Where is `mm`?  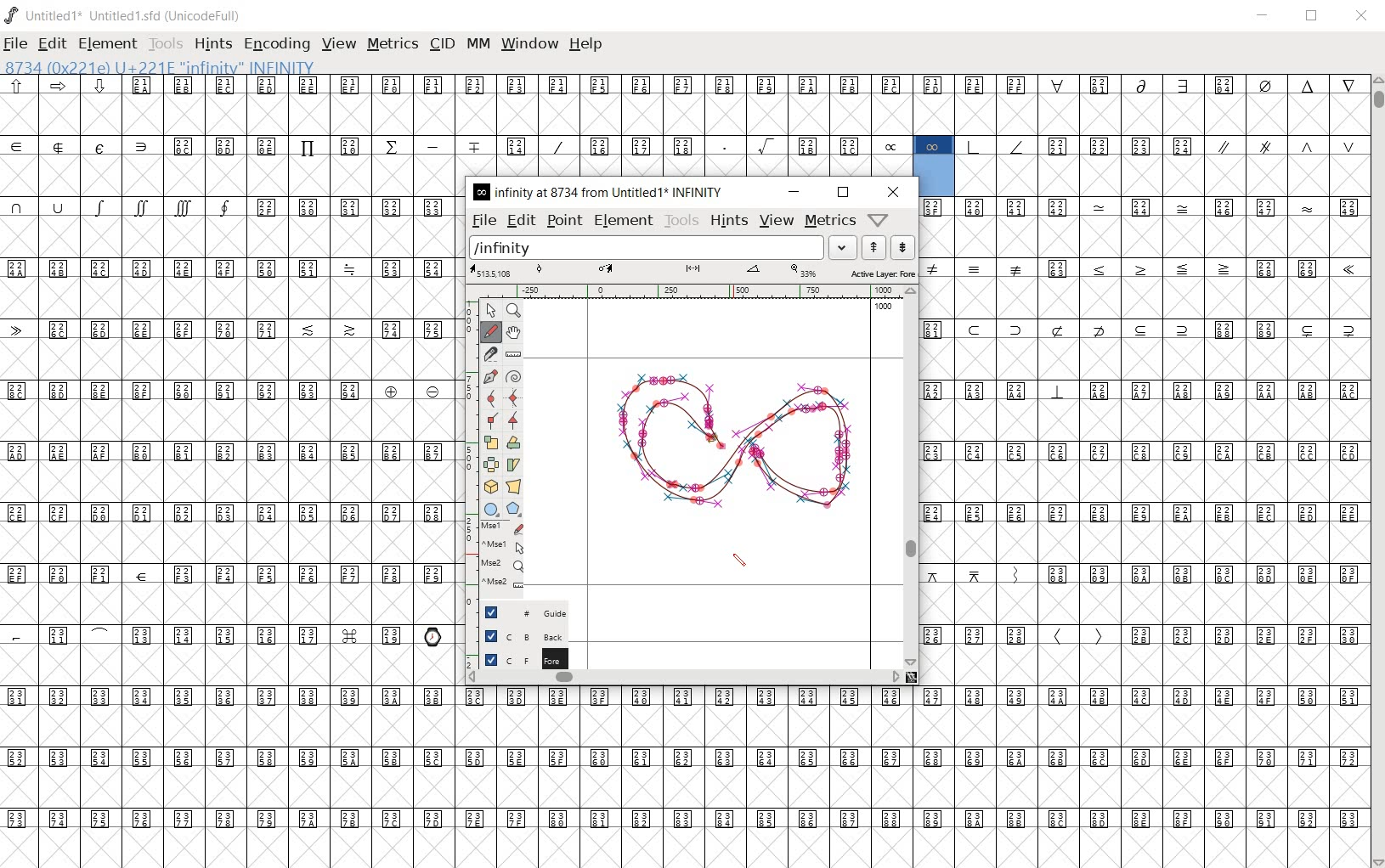 mm is located at coordinates (477, 45).